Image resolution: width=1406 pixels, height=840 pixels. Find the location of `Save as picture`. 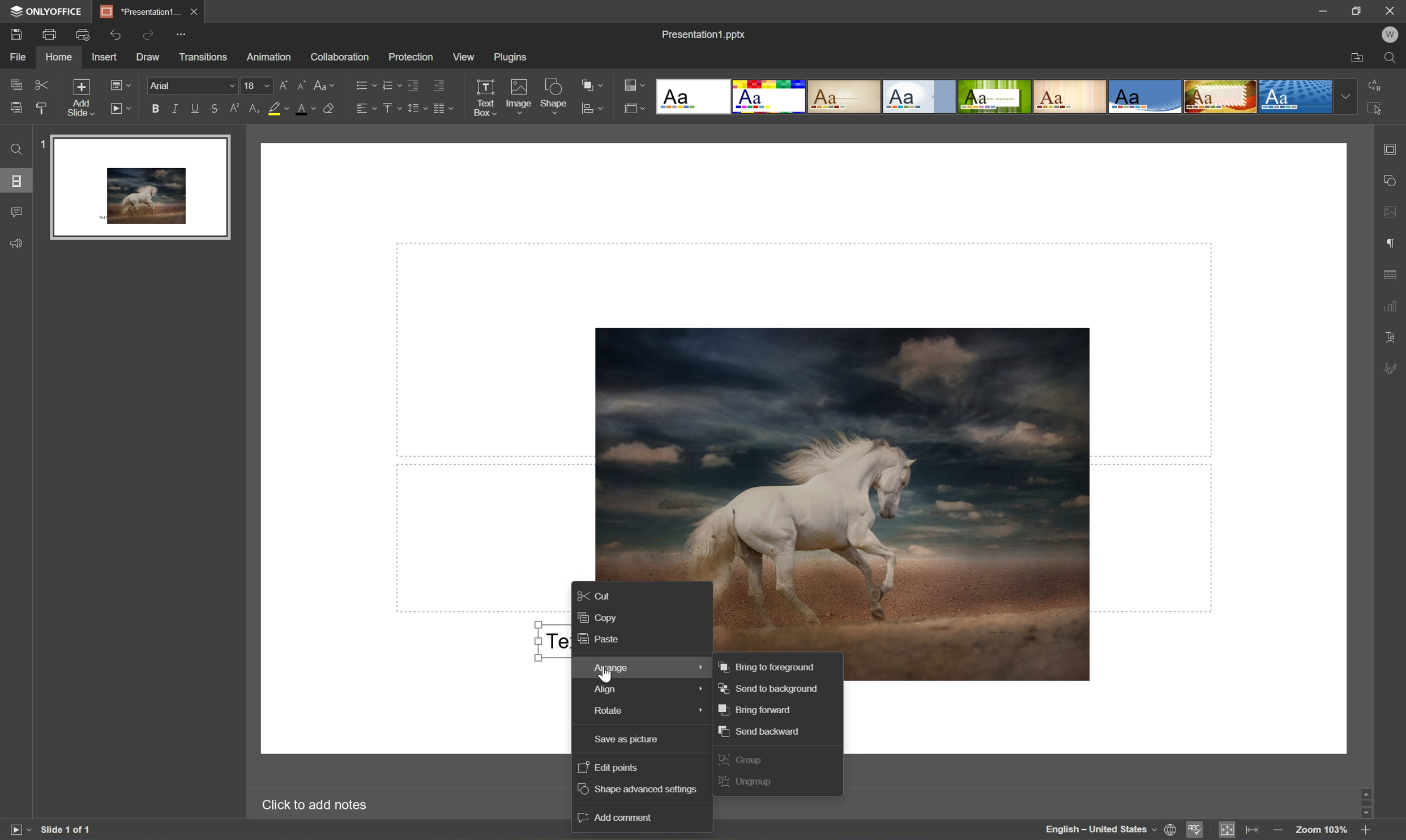

Save as picture is located at coordinates (639, 741).